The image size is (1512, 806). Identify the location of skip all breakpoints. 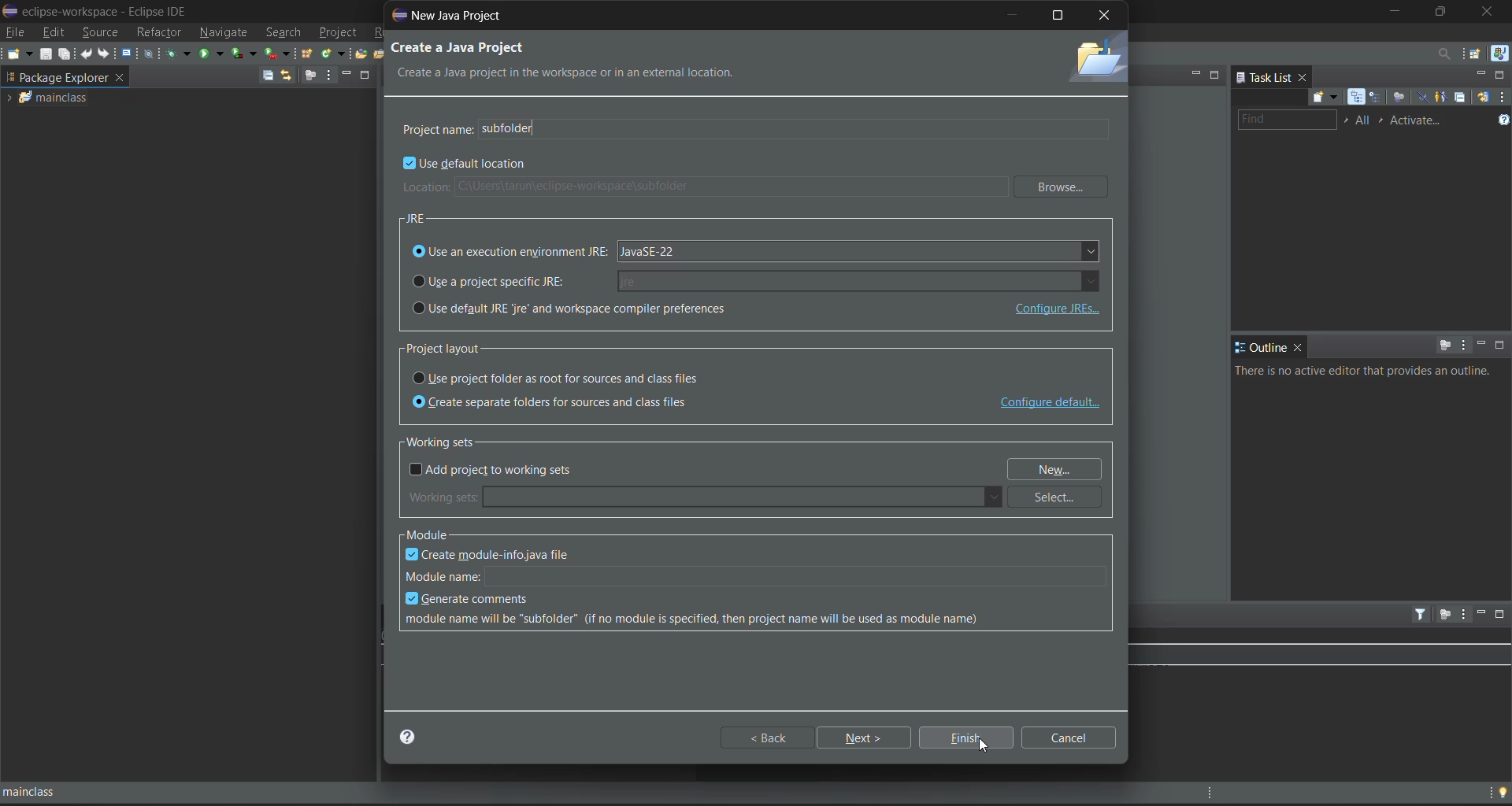
(150, 55).